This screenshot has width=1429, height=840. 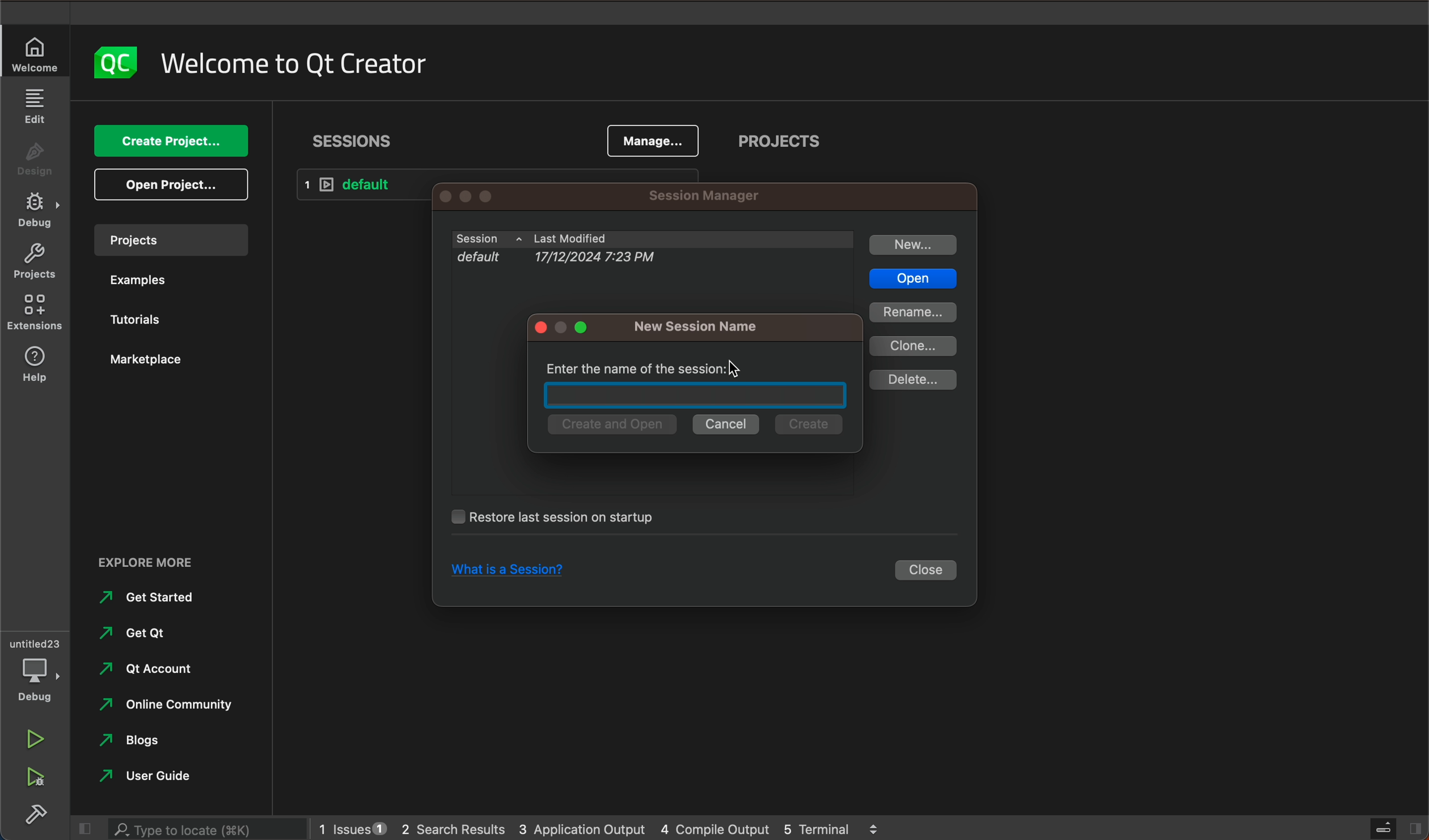 I want to click on cursor, so click(x=735, y=368).